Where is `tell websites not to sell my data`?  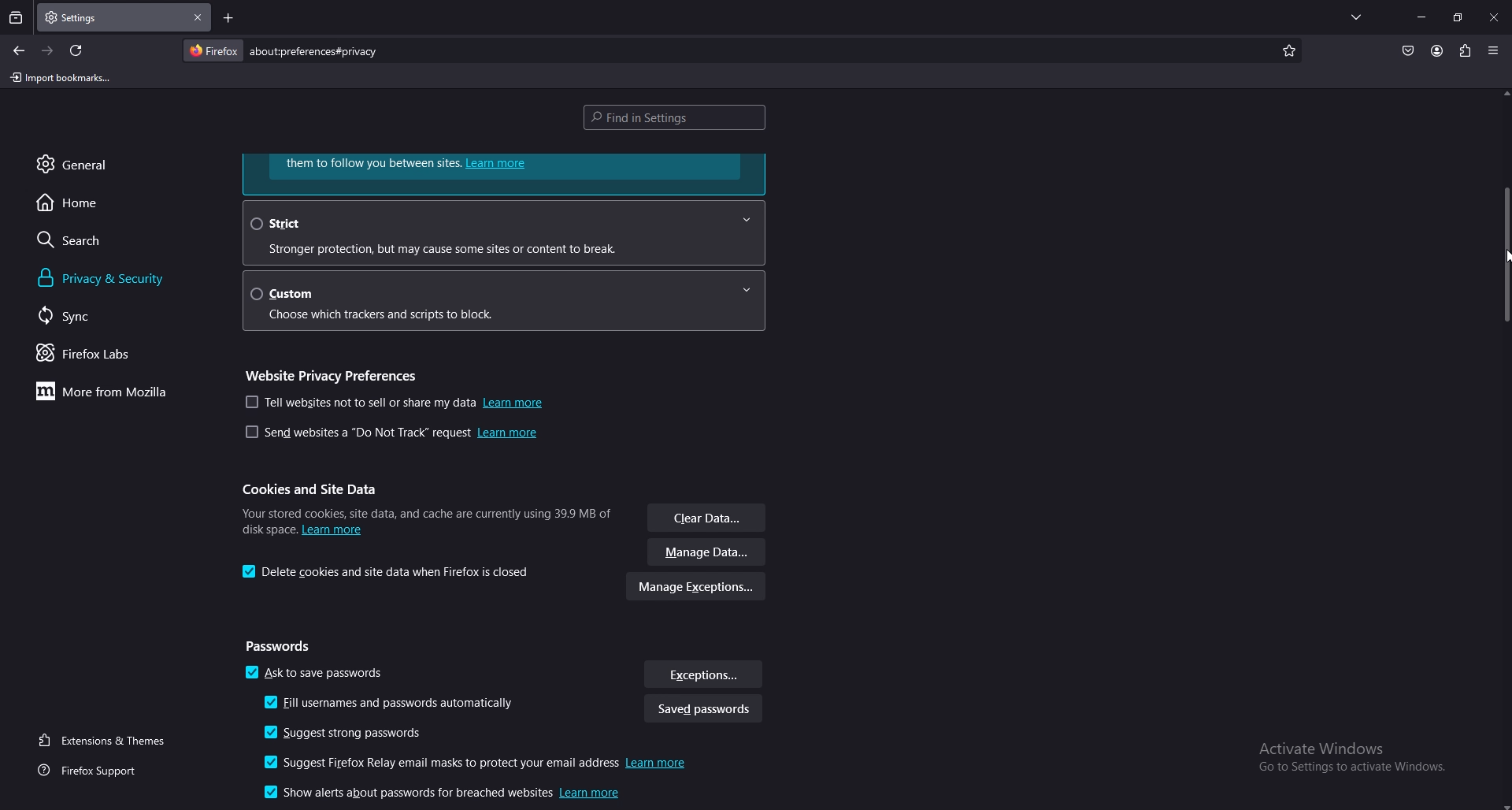 tell websites not to sell my data is located at coordinates (395, 403).